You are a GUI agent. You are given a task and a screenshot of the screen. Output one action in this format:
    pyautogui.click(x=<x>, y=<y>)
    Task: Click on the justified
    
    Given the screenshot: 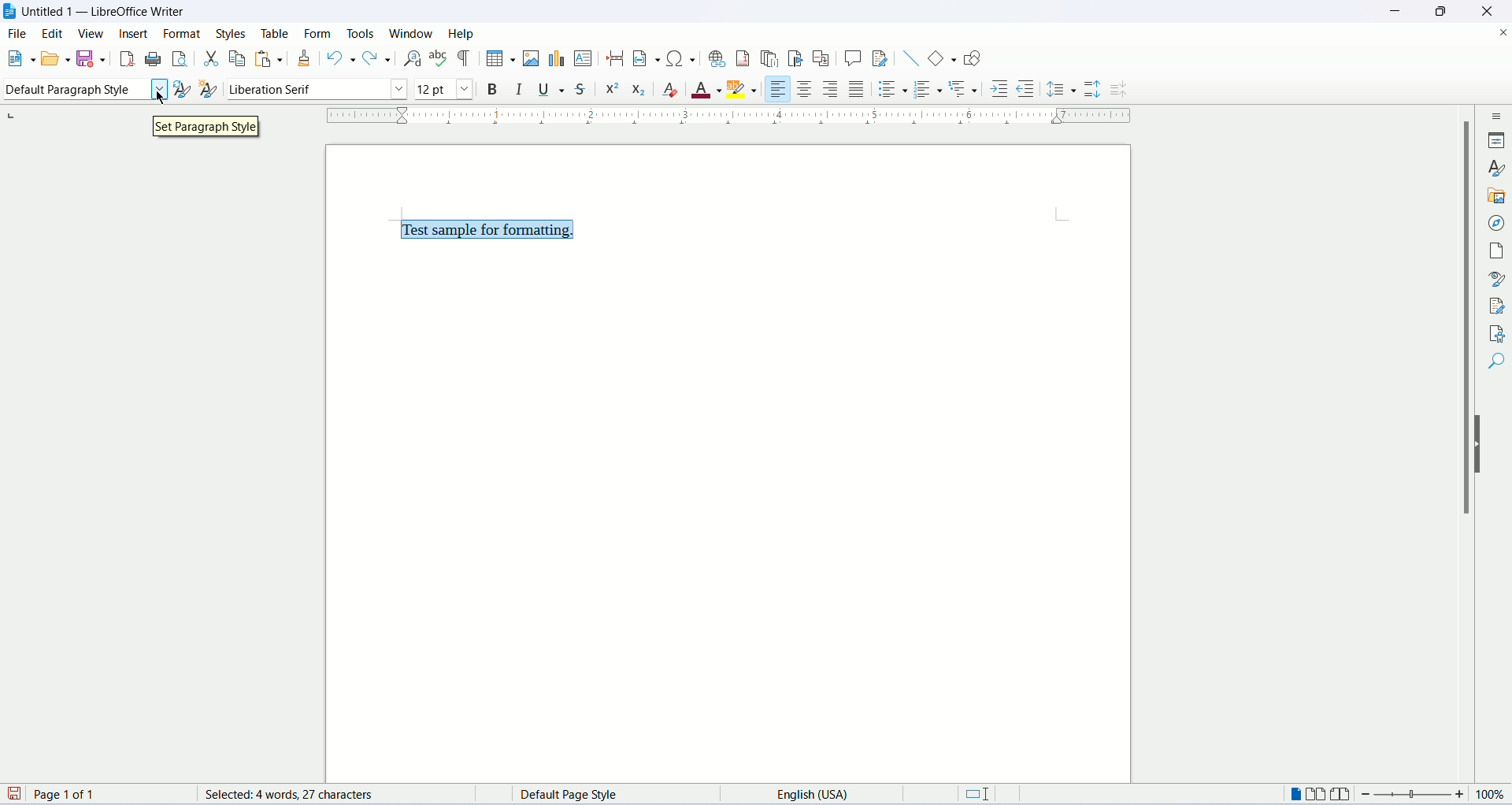 What is the action you would take?
    pyautogui.click(x=858, y=88)
    